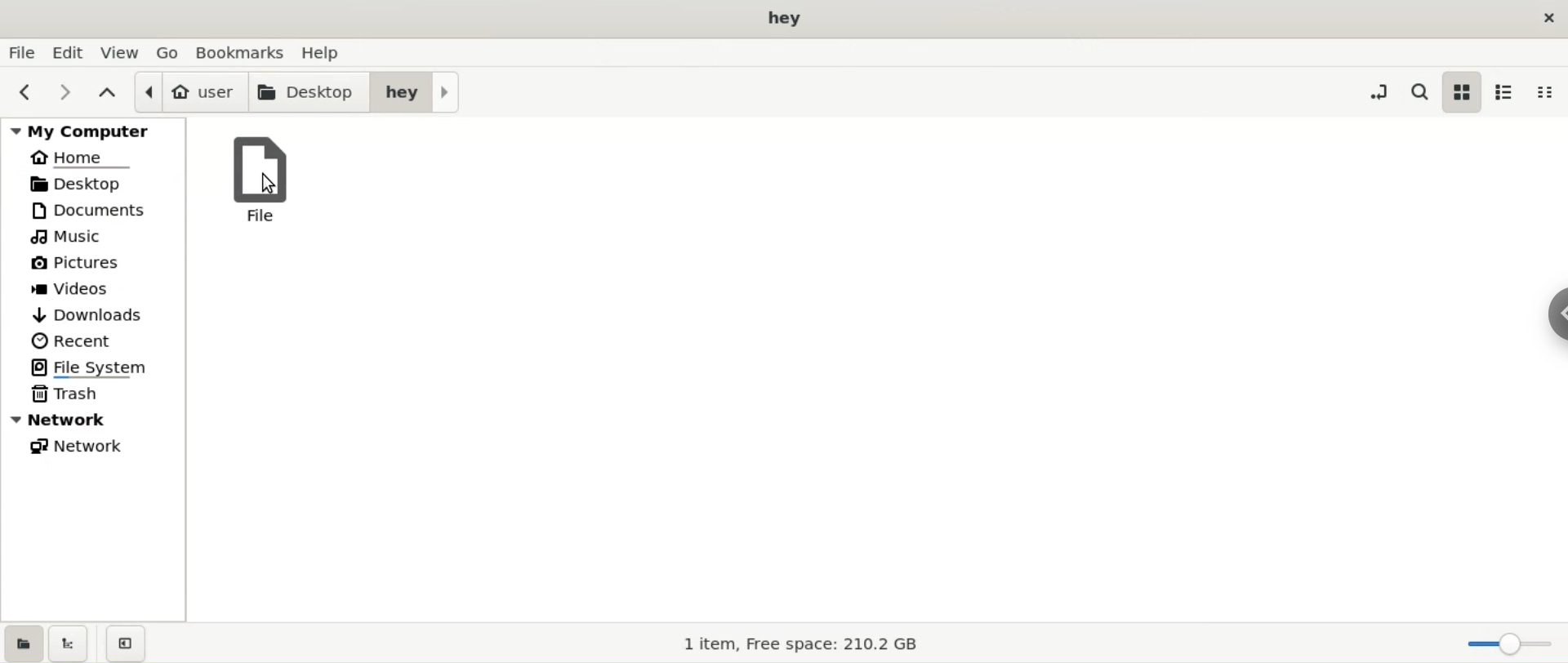  I want to click on search, so click(1418, 91).